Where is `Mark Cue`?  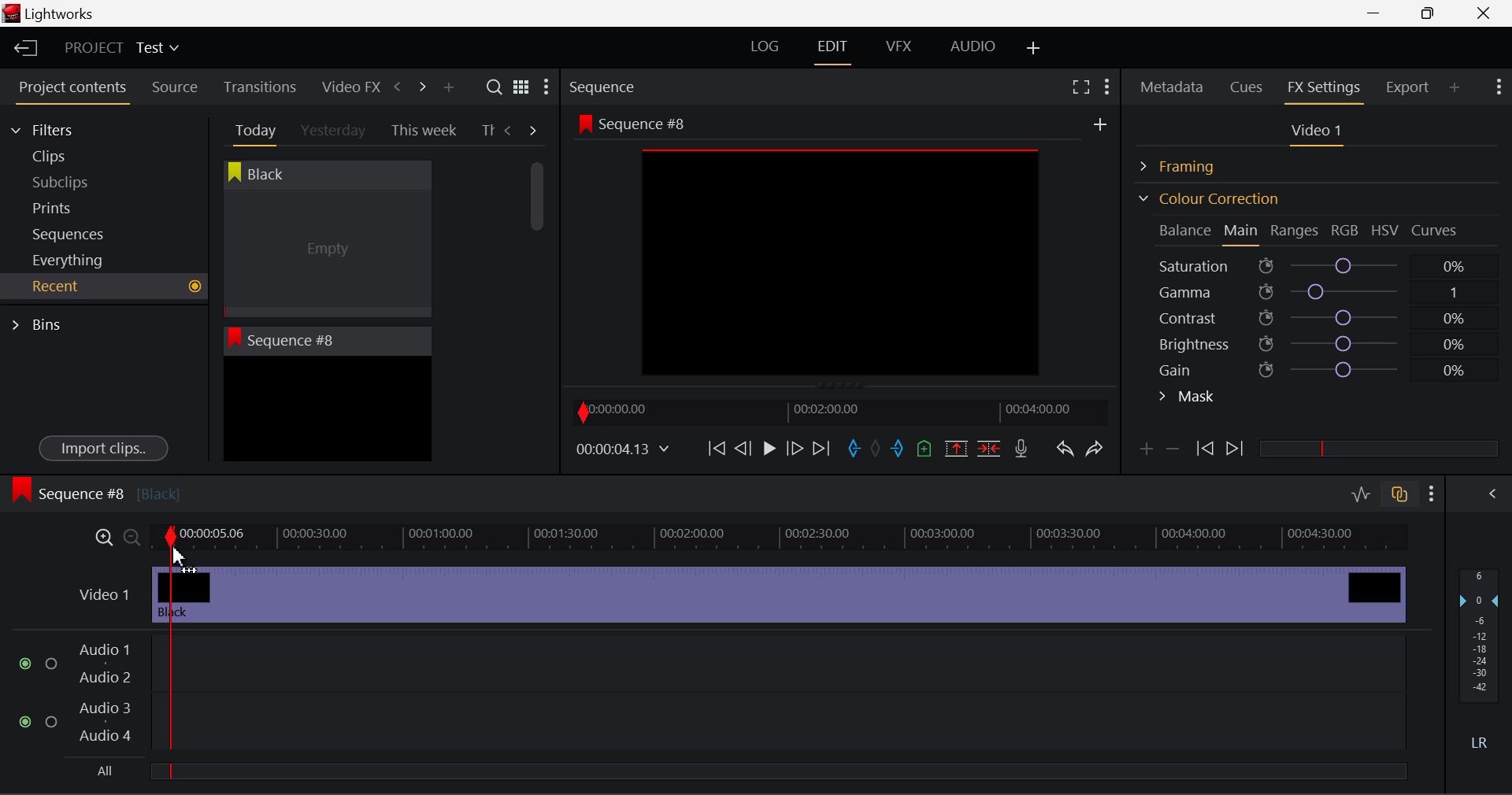 Mark Cue is located at coordinates (923, 449).